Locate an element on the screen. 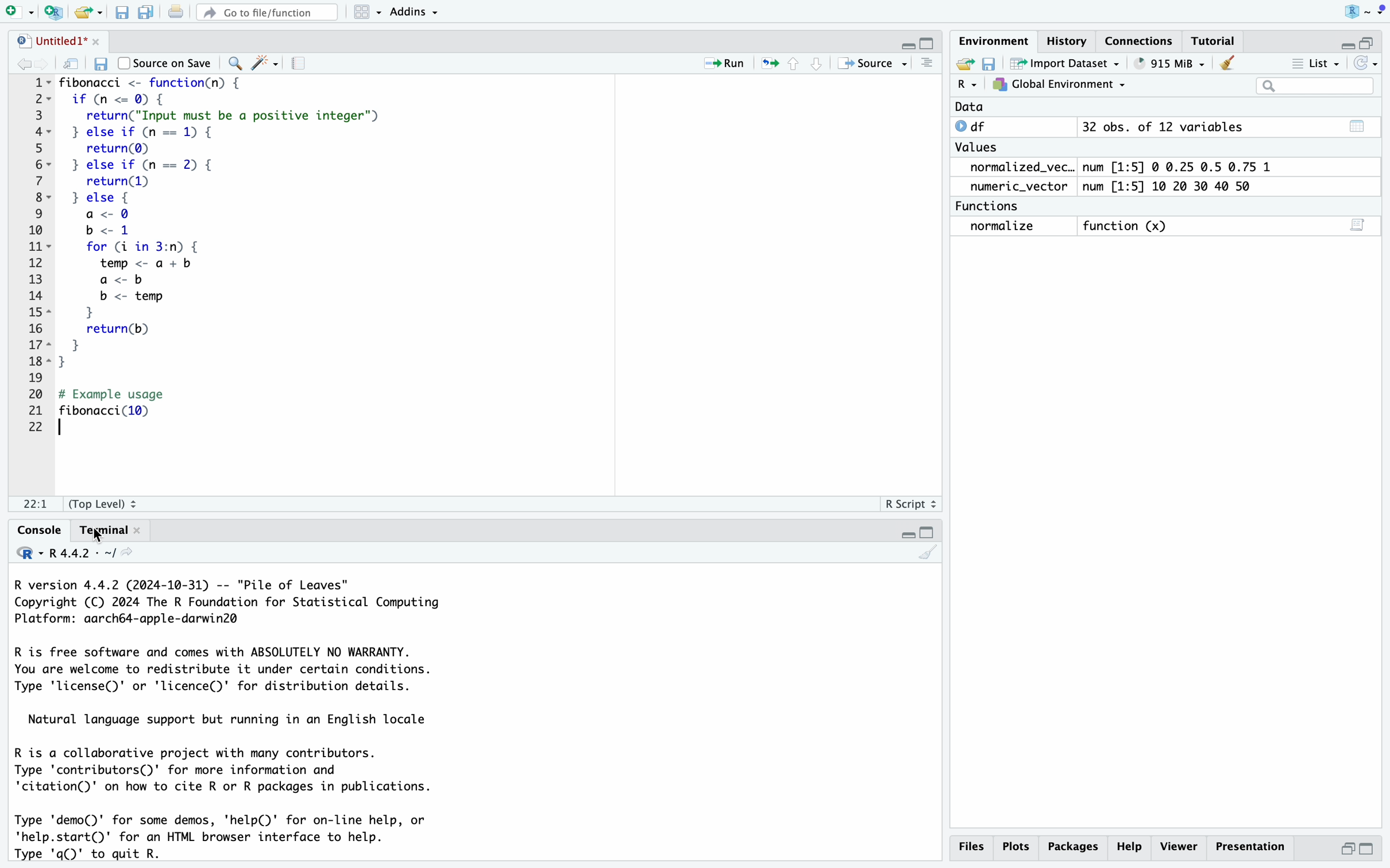 The height and width of the screenshot is (868, 1390). for loop is located at coordinates (159, 305).